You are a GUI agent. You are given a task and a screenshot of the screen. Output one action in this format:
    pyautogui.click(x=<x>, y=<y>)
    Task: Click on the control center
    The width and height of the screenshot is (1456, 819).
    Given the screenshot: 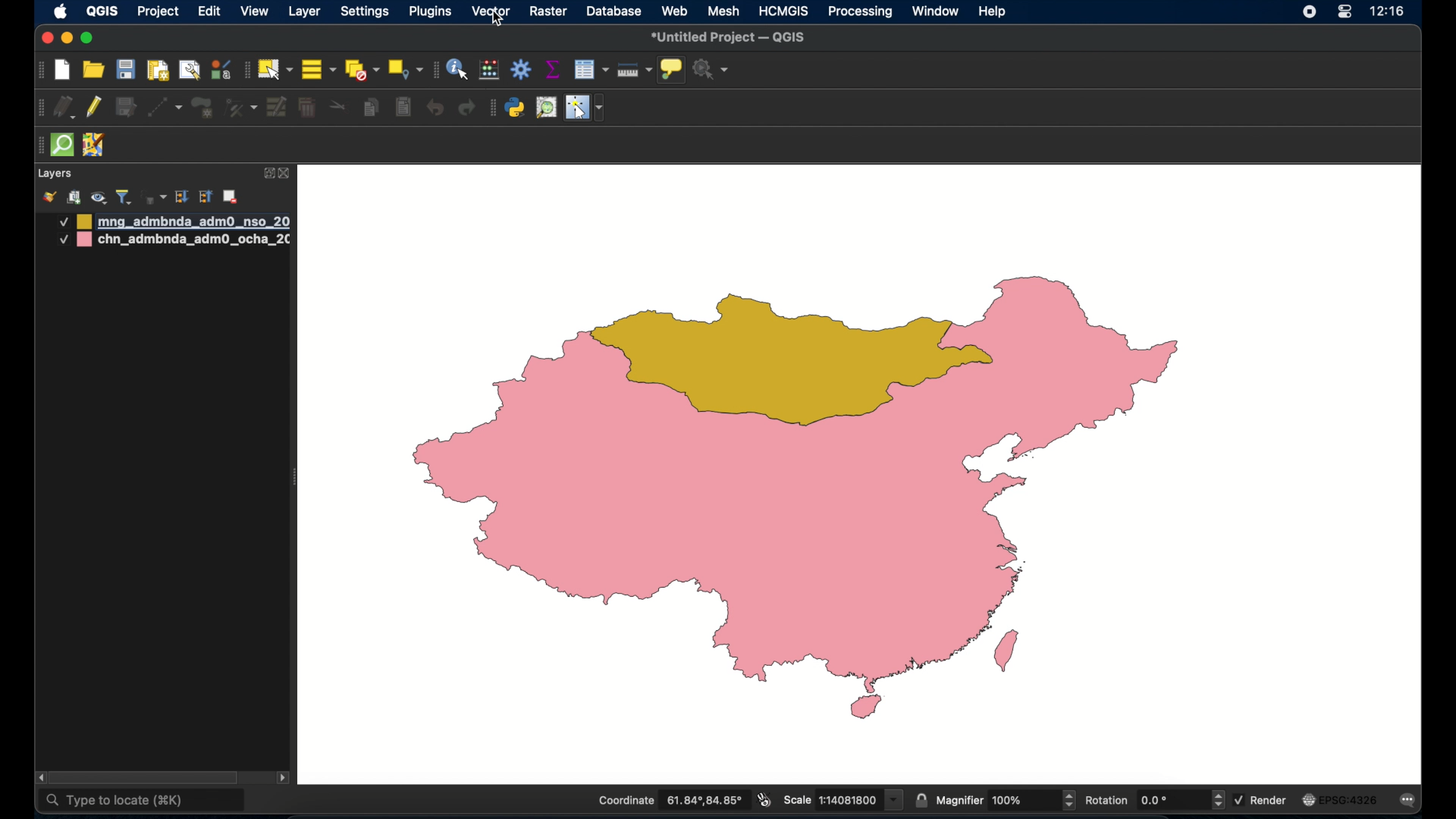 What is the action you would take?
    pyautogui.click(x=1344, y=13)
    